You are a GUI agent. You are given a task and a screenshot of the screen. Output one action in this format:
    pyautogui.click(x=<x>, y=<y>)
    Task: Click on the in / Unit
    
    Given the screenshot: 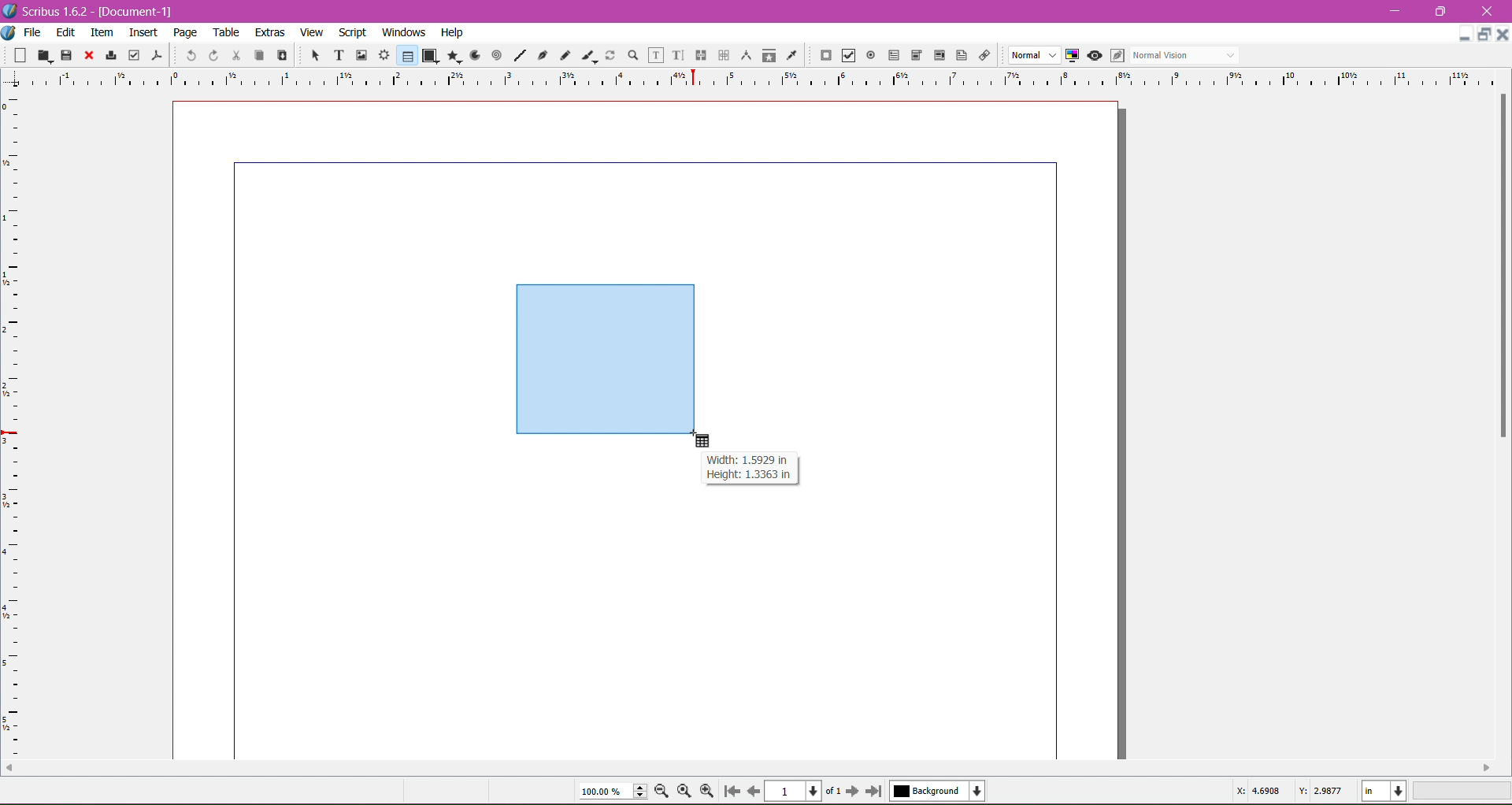 What is the action you would take?
    pyautogui.click(x=1385, y=788)
    